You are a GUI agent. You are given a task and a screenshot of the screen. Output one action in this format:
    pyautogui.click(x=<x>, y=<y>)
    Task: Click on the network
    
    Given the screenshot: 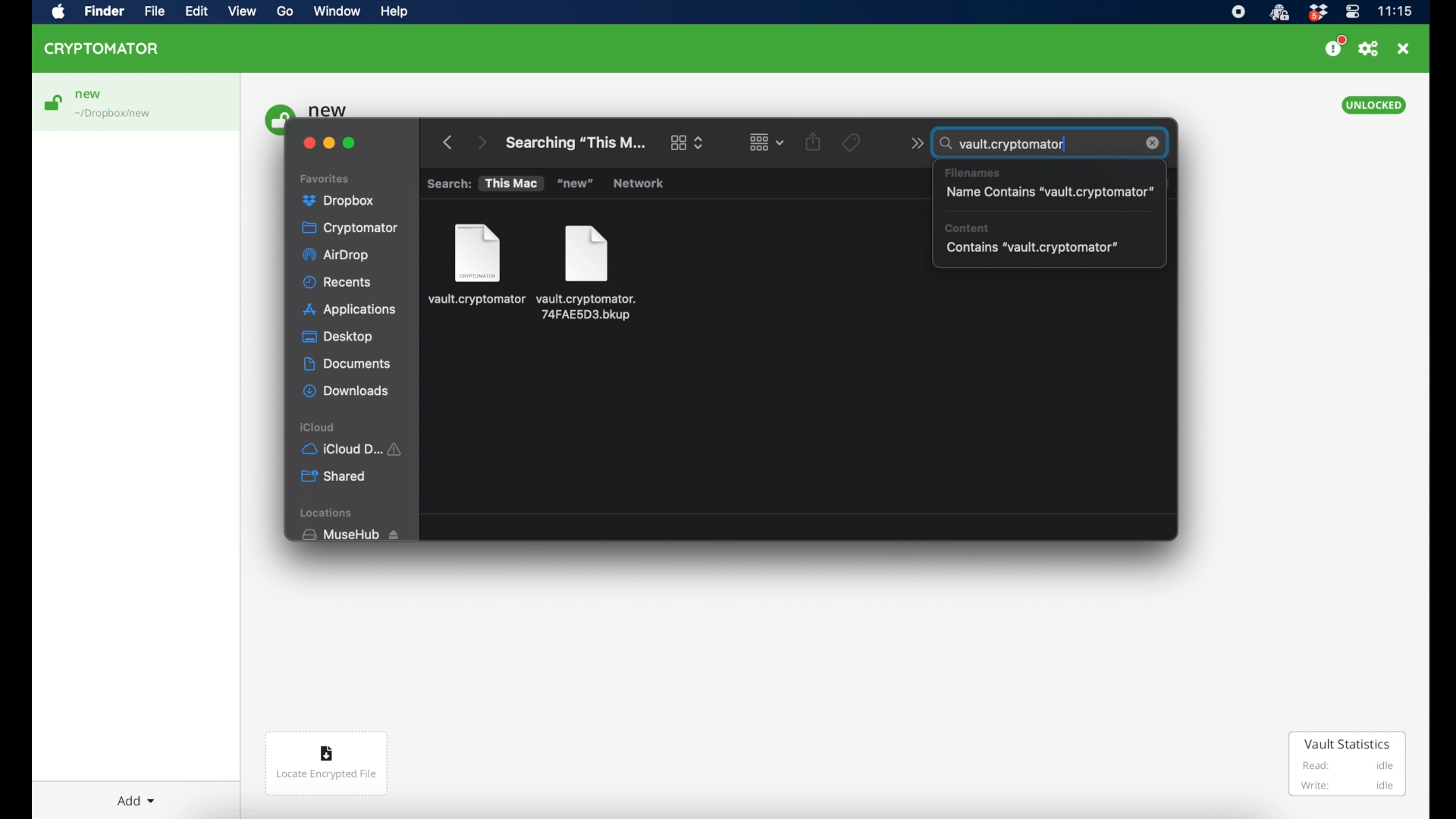 What is the action you would take?
    pyautogui.click(x=641, y=184)
    